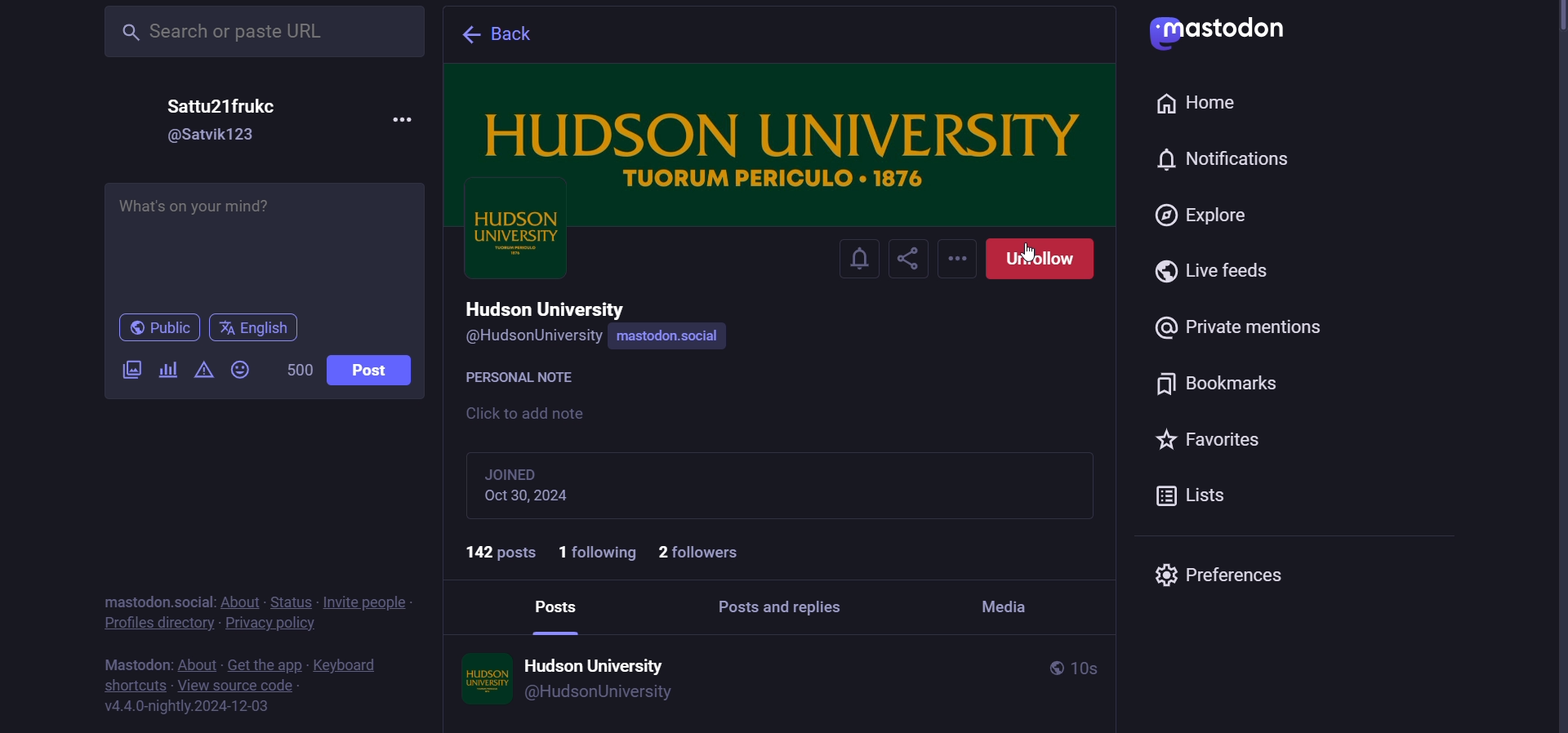  I want to click on mastodon, so click(135, 664).